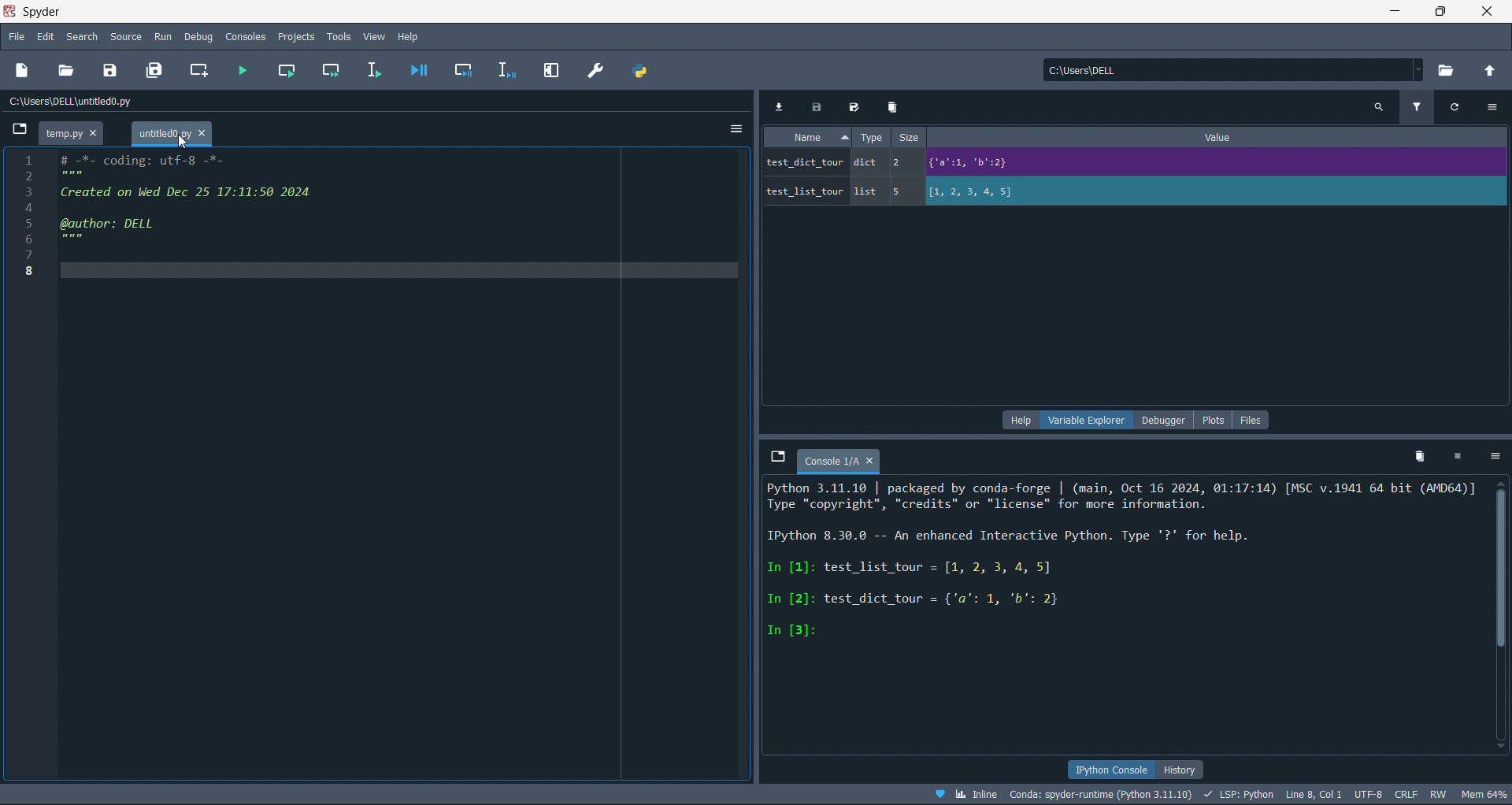  I want to click on browse directory, so click(1449, 72).